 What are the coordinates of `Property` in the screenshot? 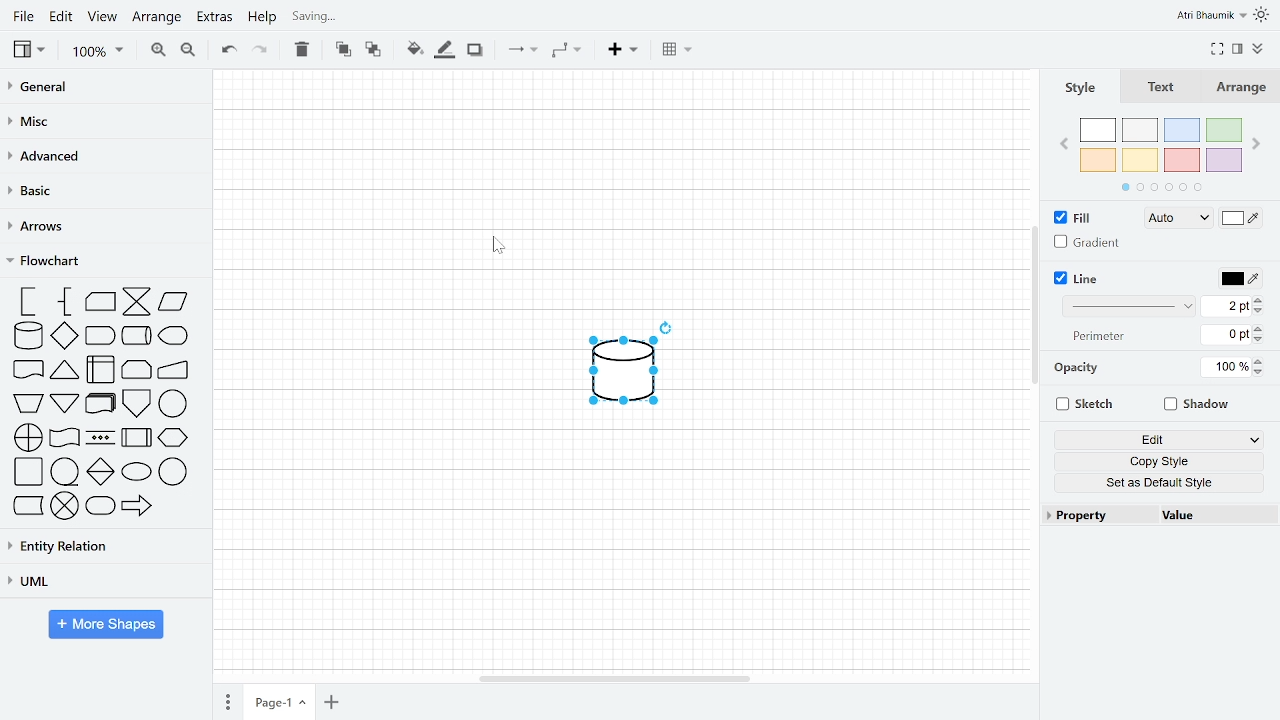 It's located at (1100, 516).